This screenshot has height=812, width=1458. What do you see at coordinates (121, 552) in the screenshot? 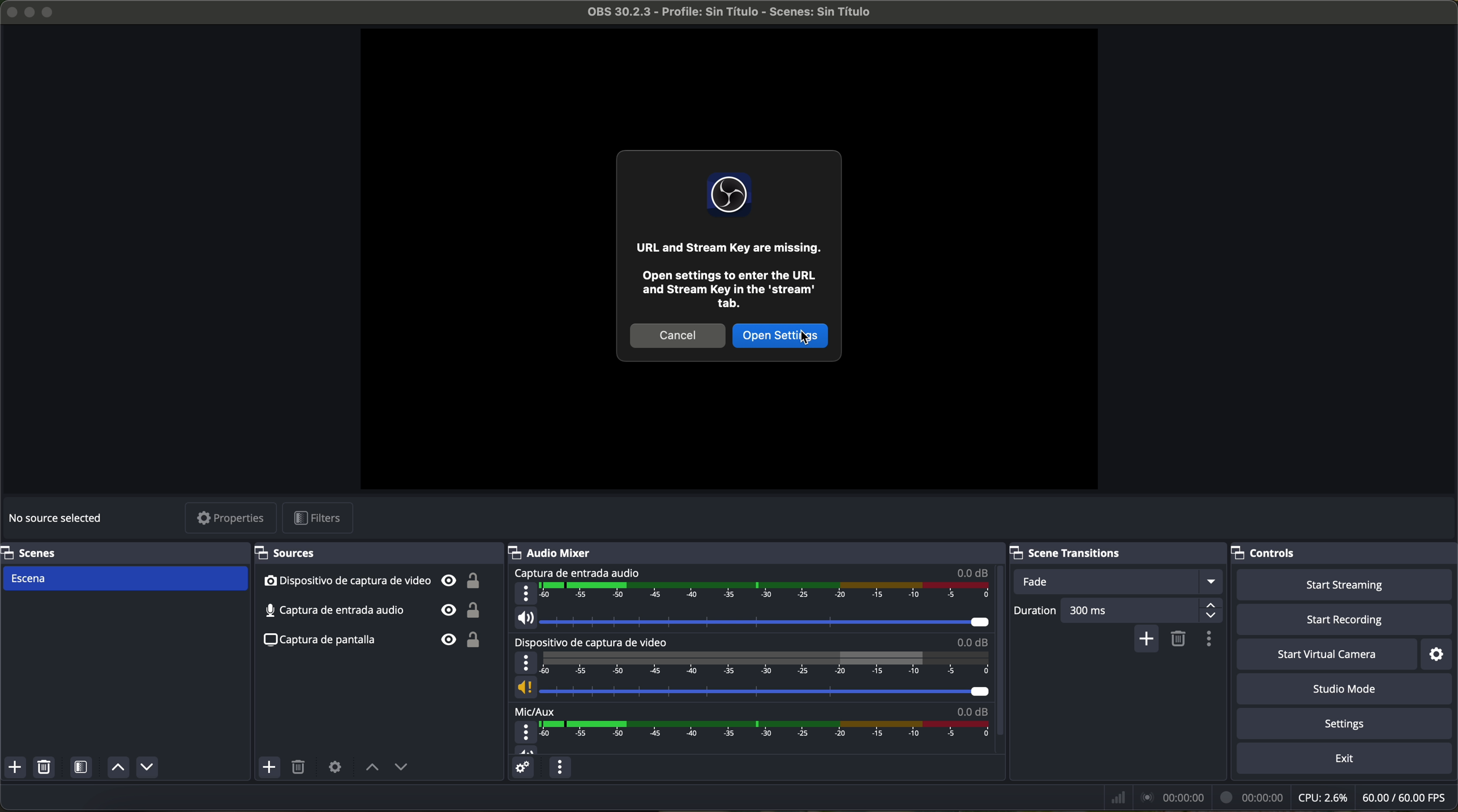
I see `scenes` at bounding box center [121, 552].